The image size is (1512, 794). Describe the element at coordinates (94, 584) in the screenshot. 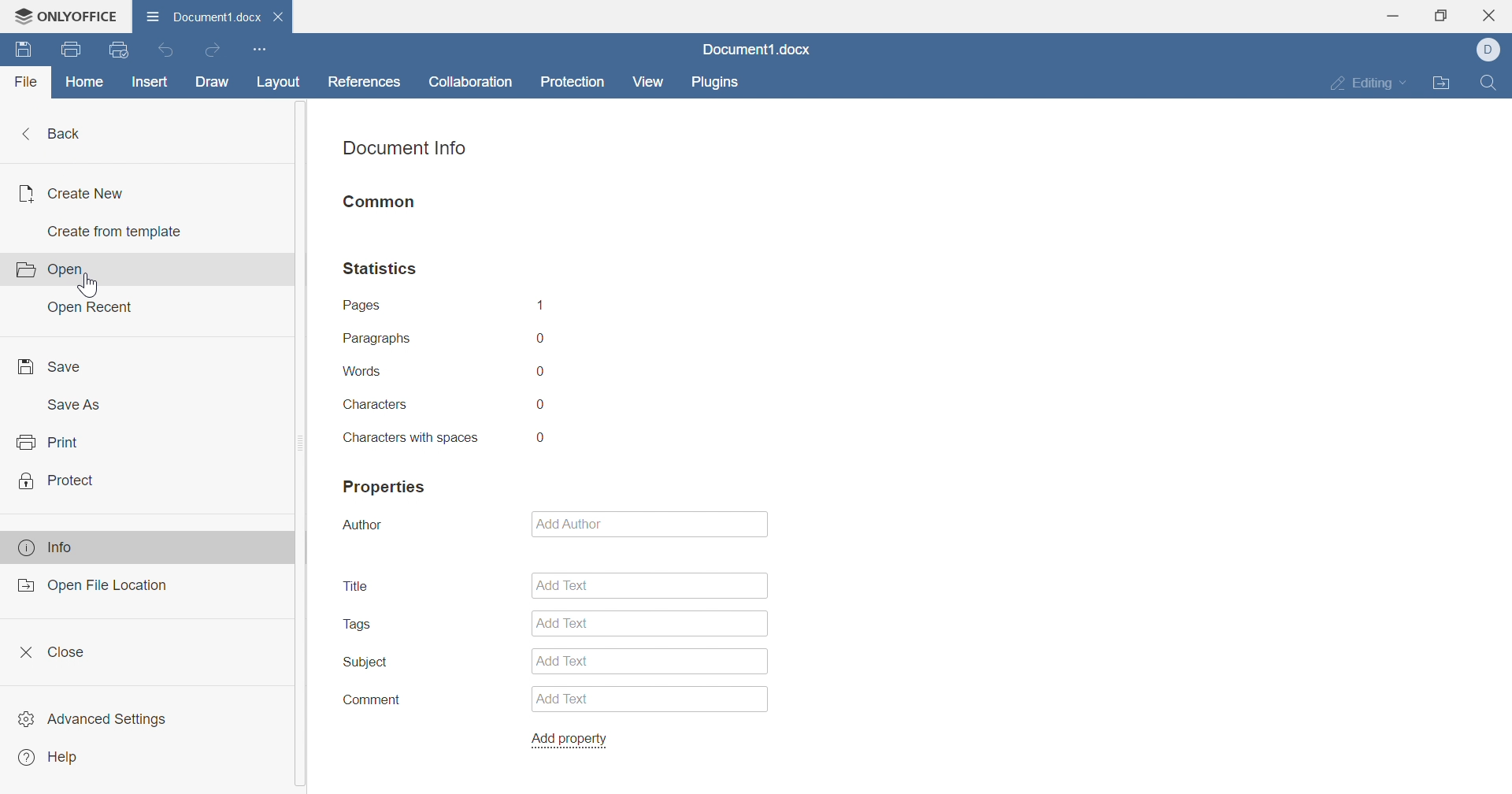

I see `open file location` at that location.